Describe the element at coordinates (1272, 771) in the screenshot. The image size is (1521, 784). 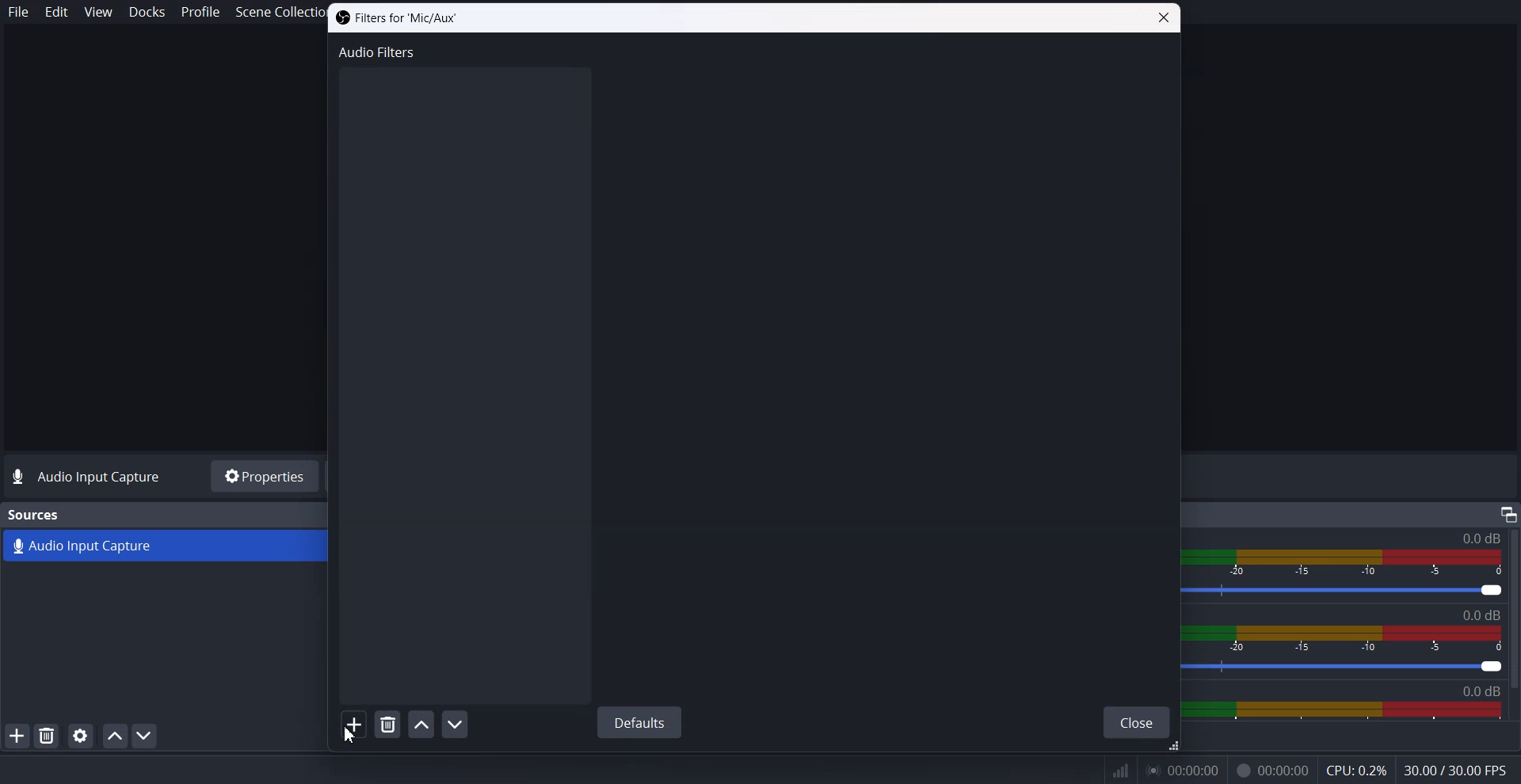
I see `Recording` at that location.